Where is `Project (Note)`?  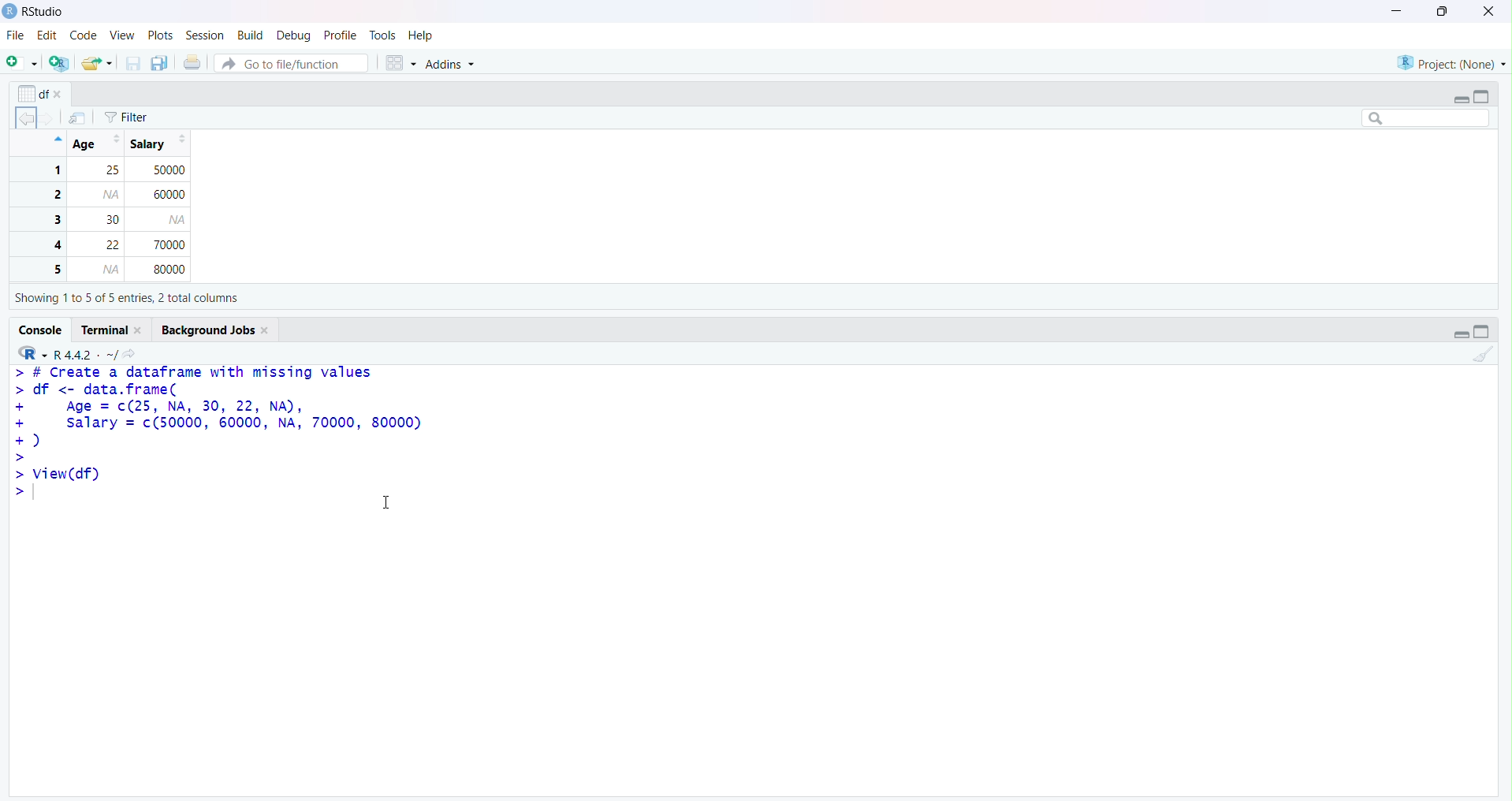 Project (Note) is located at coordinates (1451, 64).